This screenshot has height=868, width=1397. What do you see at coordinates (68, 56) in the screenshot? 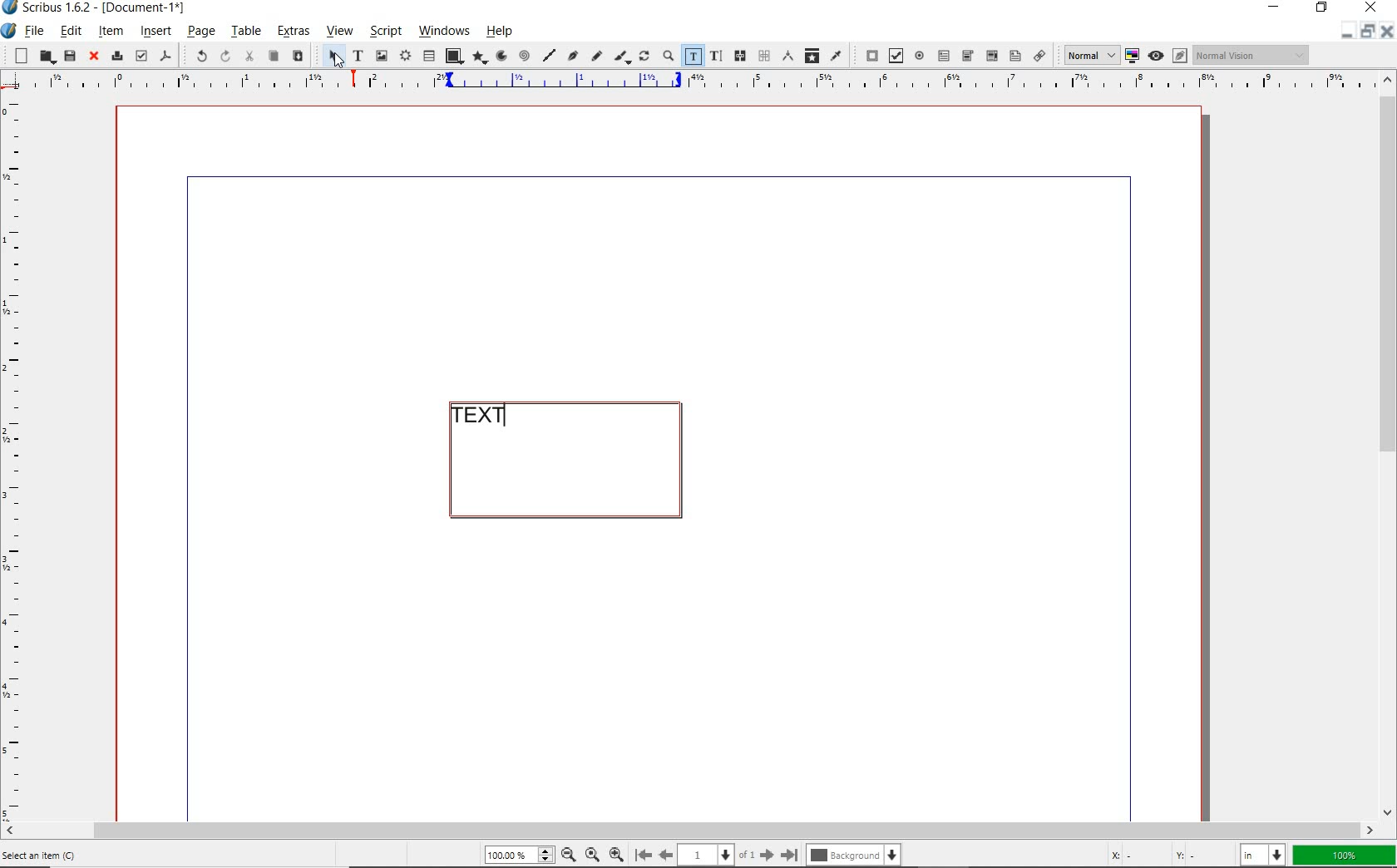
I see `save` at bounding box center [68, 56].